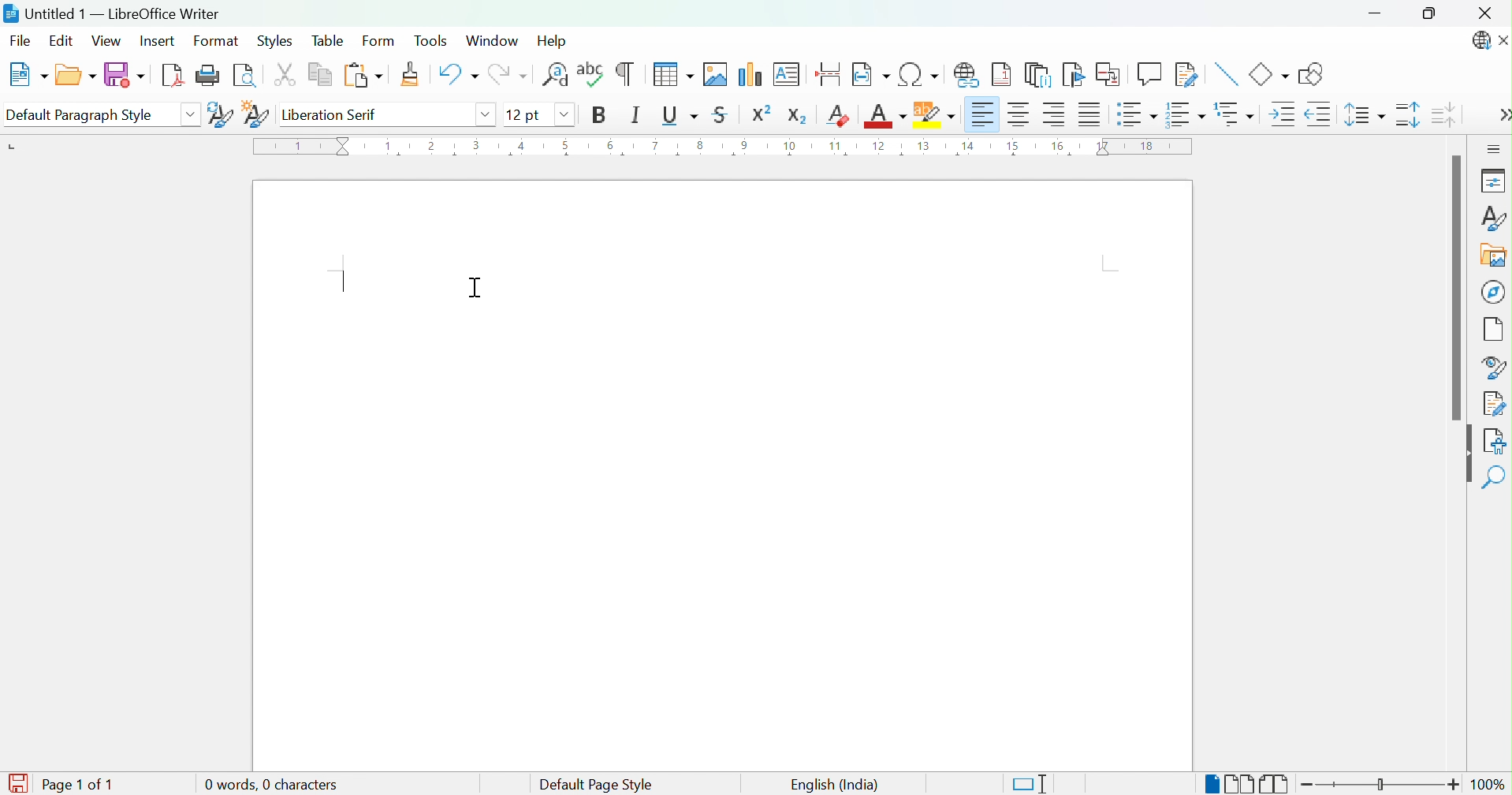 This screenshot has width=1512, height=795. Describe the element at coordinates (345, 280) in the screenshot. I see `Typing Cursor` at that location.